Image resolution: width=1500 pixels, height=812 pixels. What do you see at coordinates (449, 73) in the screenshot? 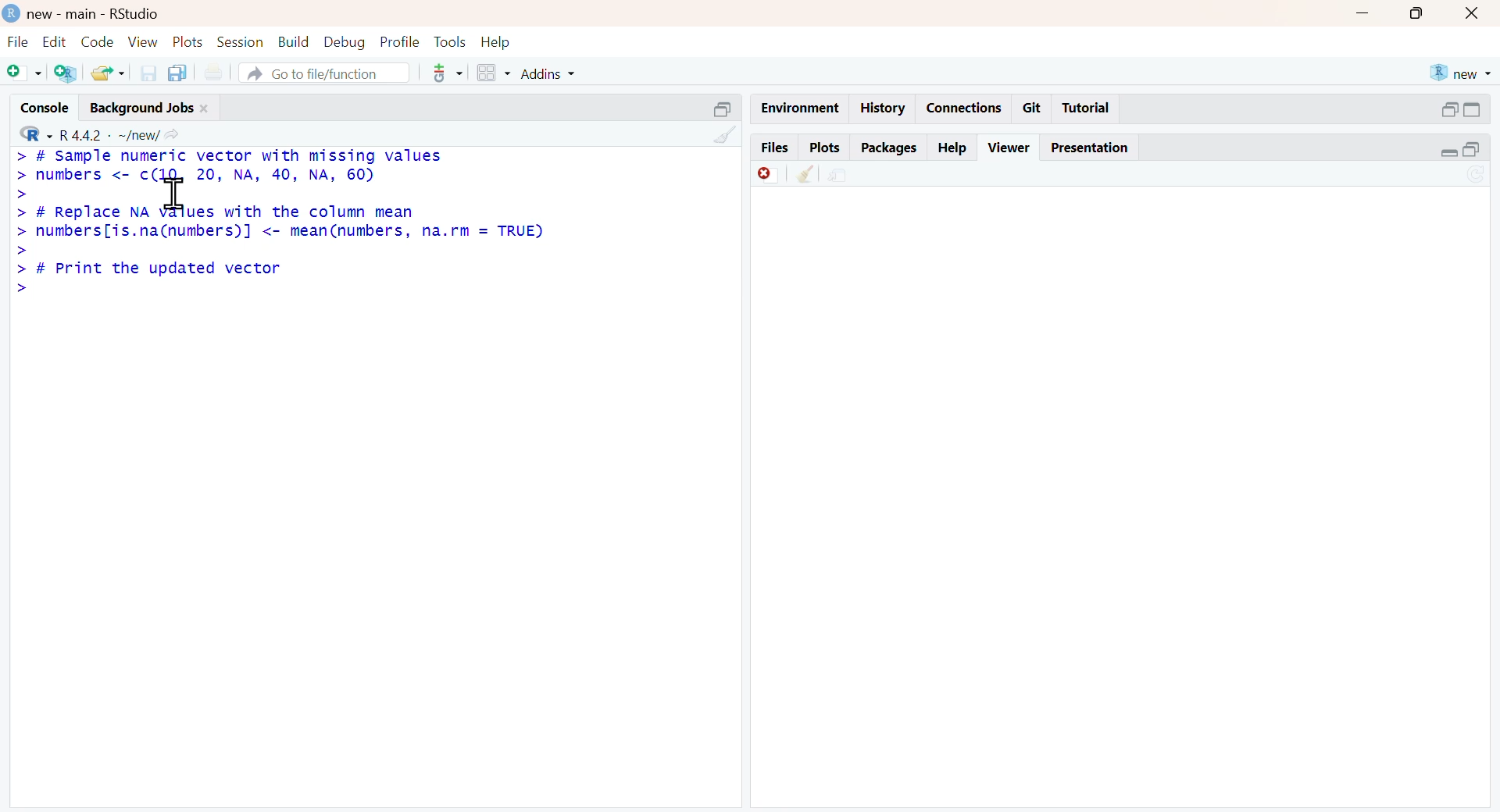
I see `tools` at bounding box center [449, 73].